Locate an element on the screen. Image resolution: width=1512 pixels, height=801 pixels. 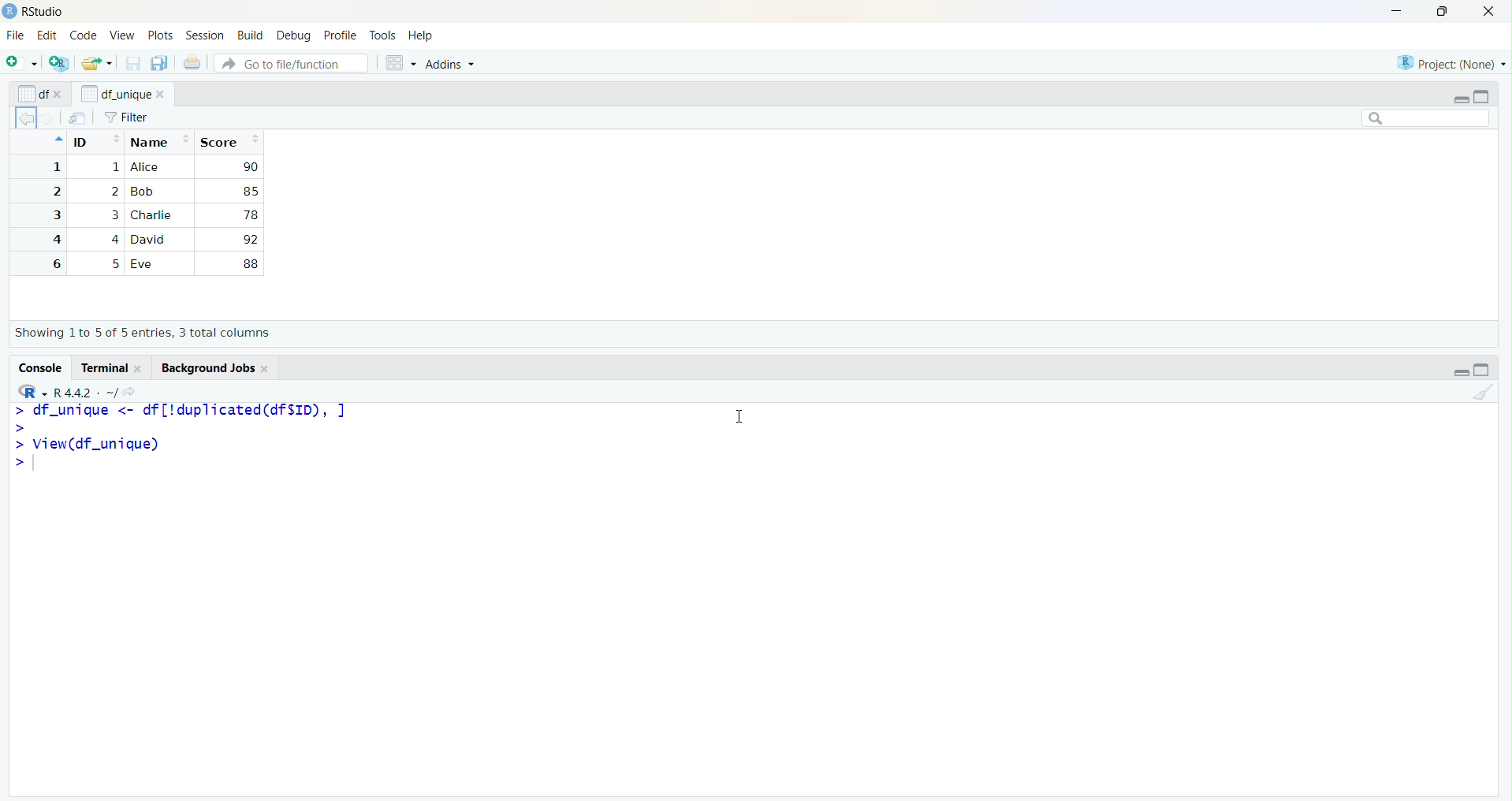
7 is located at coordinates (54, 311).